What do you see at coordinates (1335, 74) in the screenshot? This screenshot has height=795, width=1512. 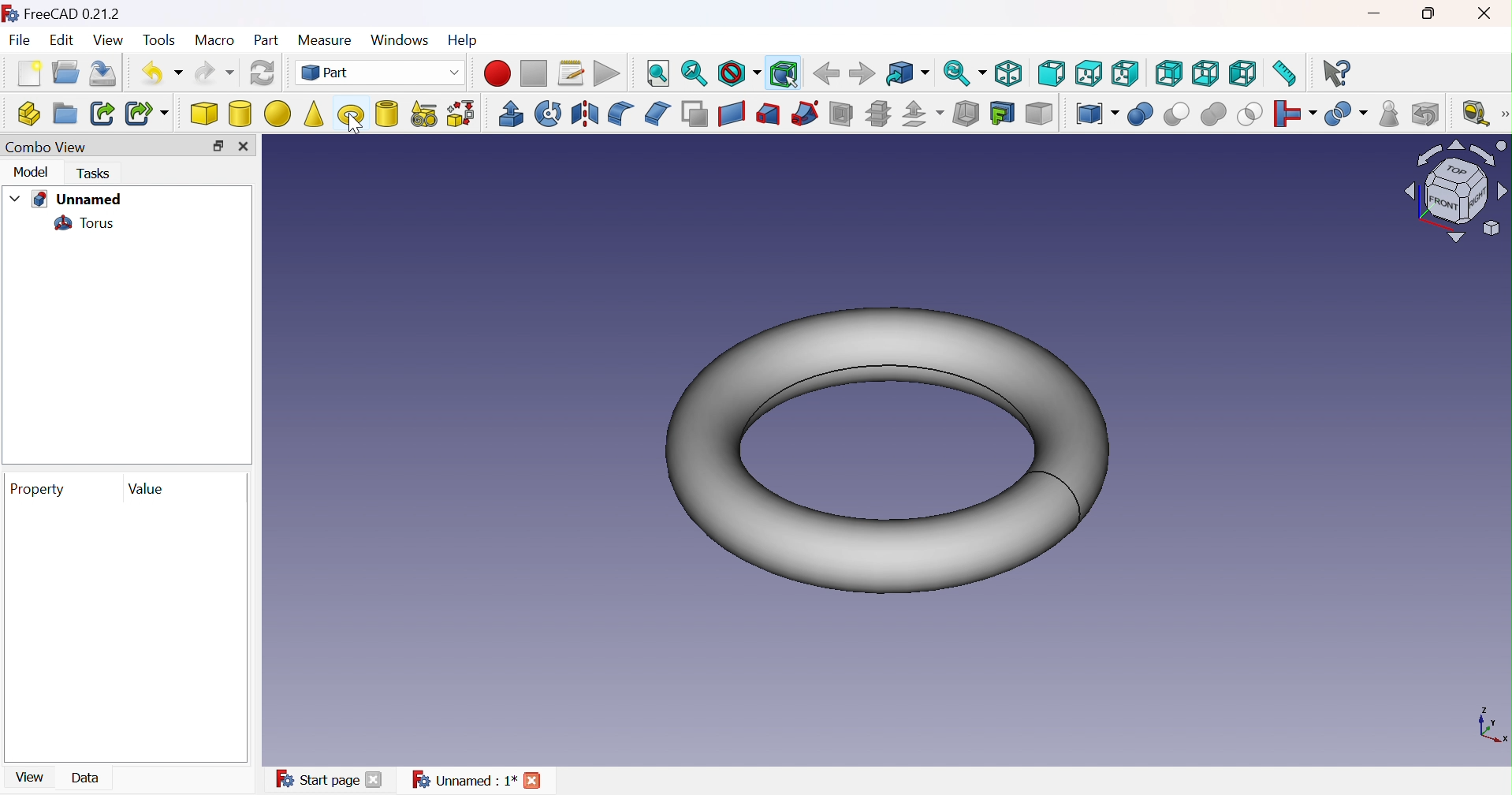 I see `What's this?` at bounding box center [1335, 74].